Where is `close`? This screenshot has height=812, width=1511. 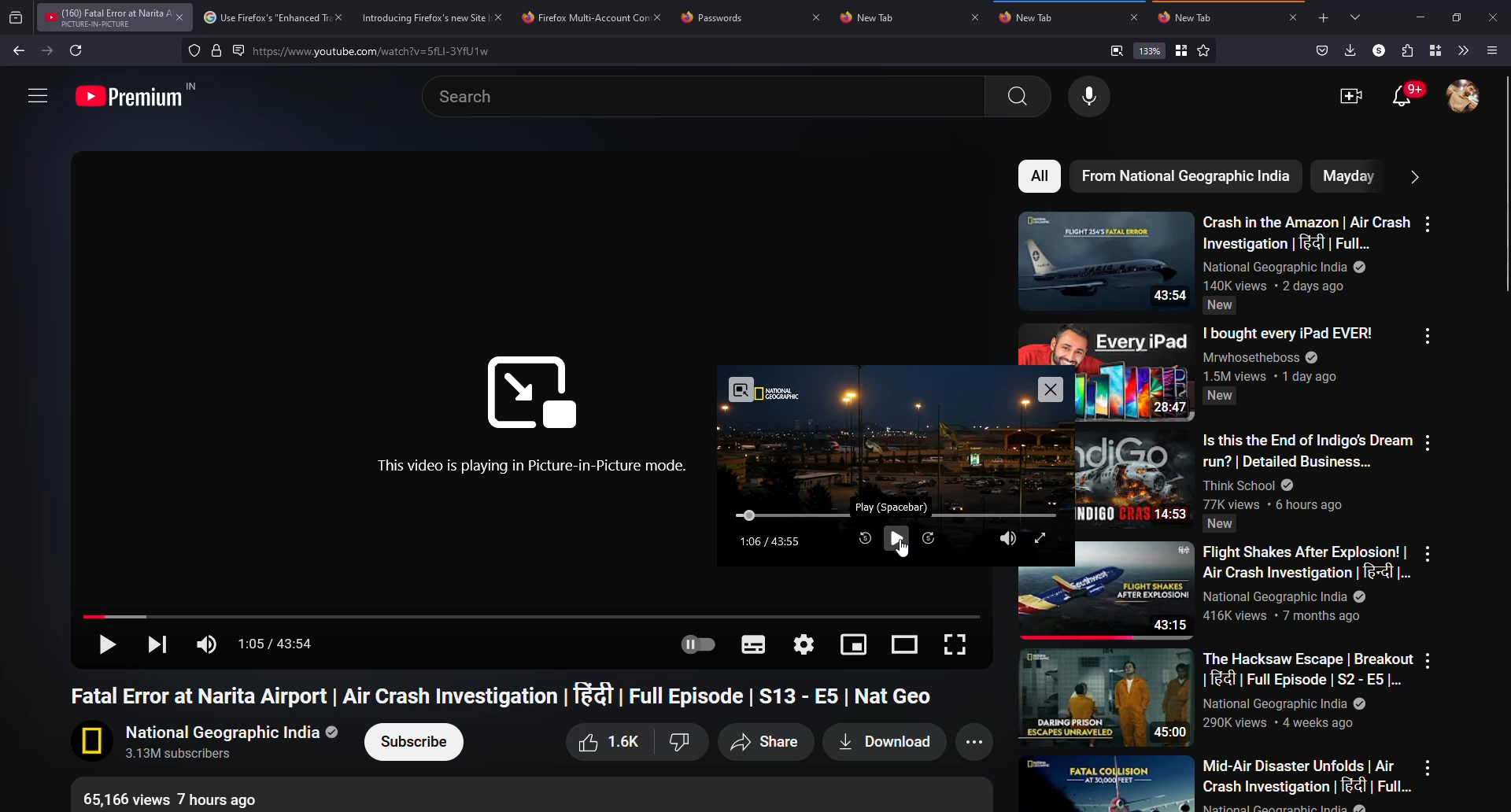 close is located at coordinates (179, 17).